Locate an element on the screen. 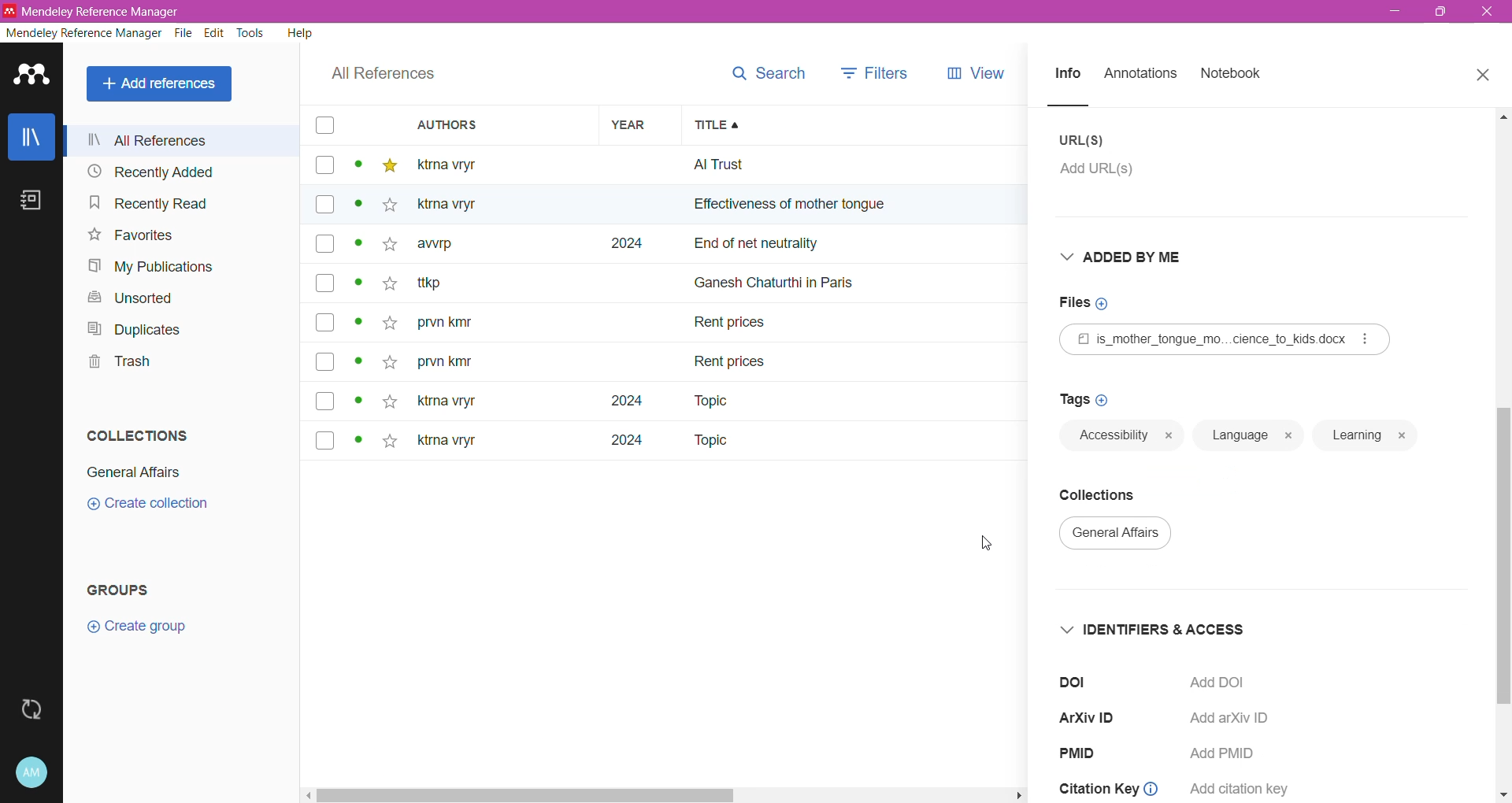  dot  is located at coordinates (354, 209).